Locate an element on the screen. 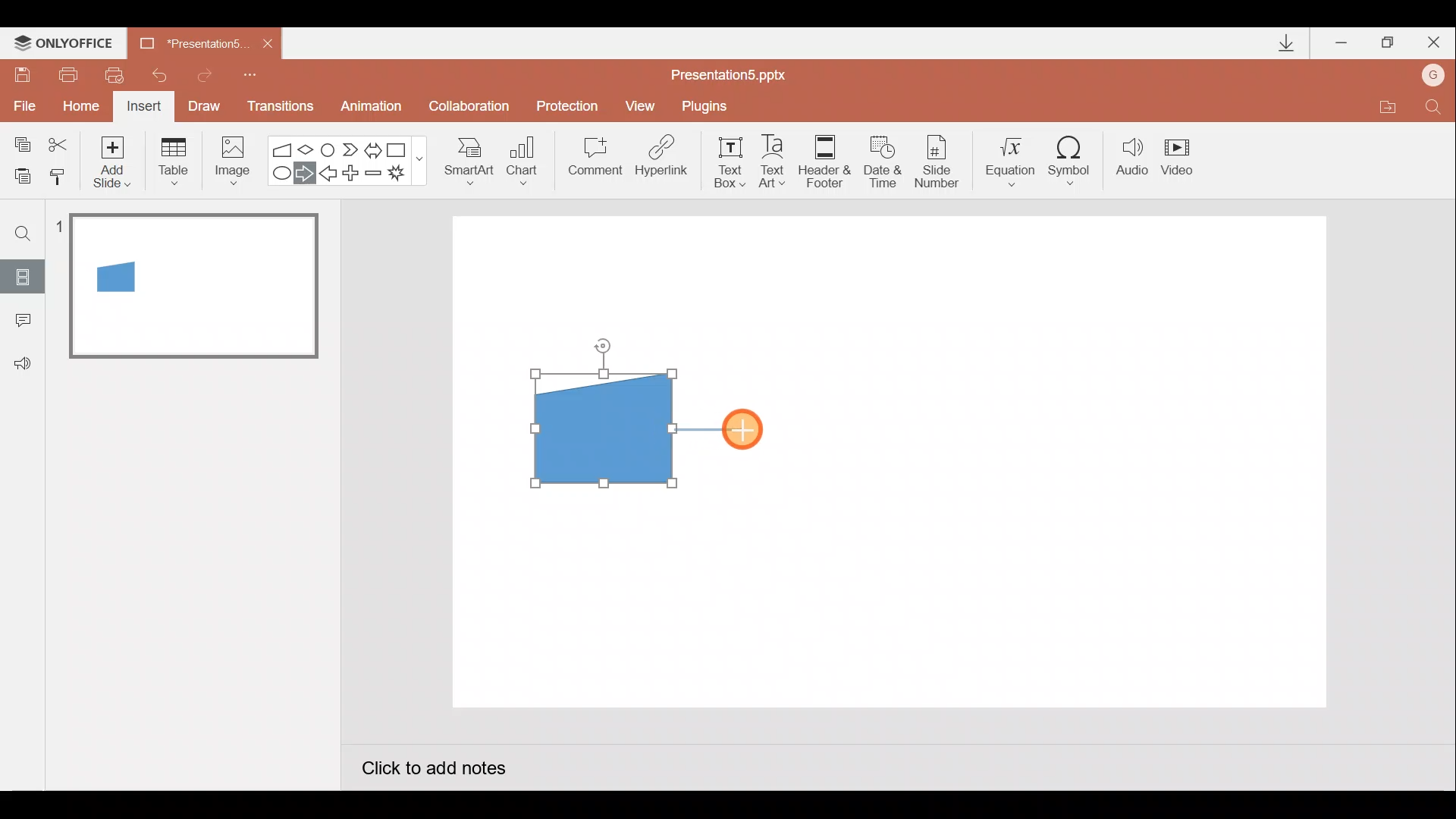  Feedback & support is located at coordinates (24, 362).